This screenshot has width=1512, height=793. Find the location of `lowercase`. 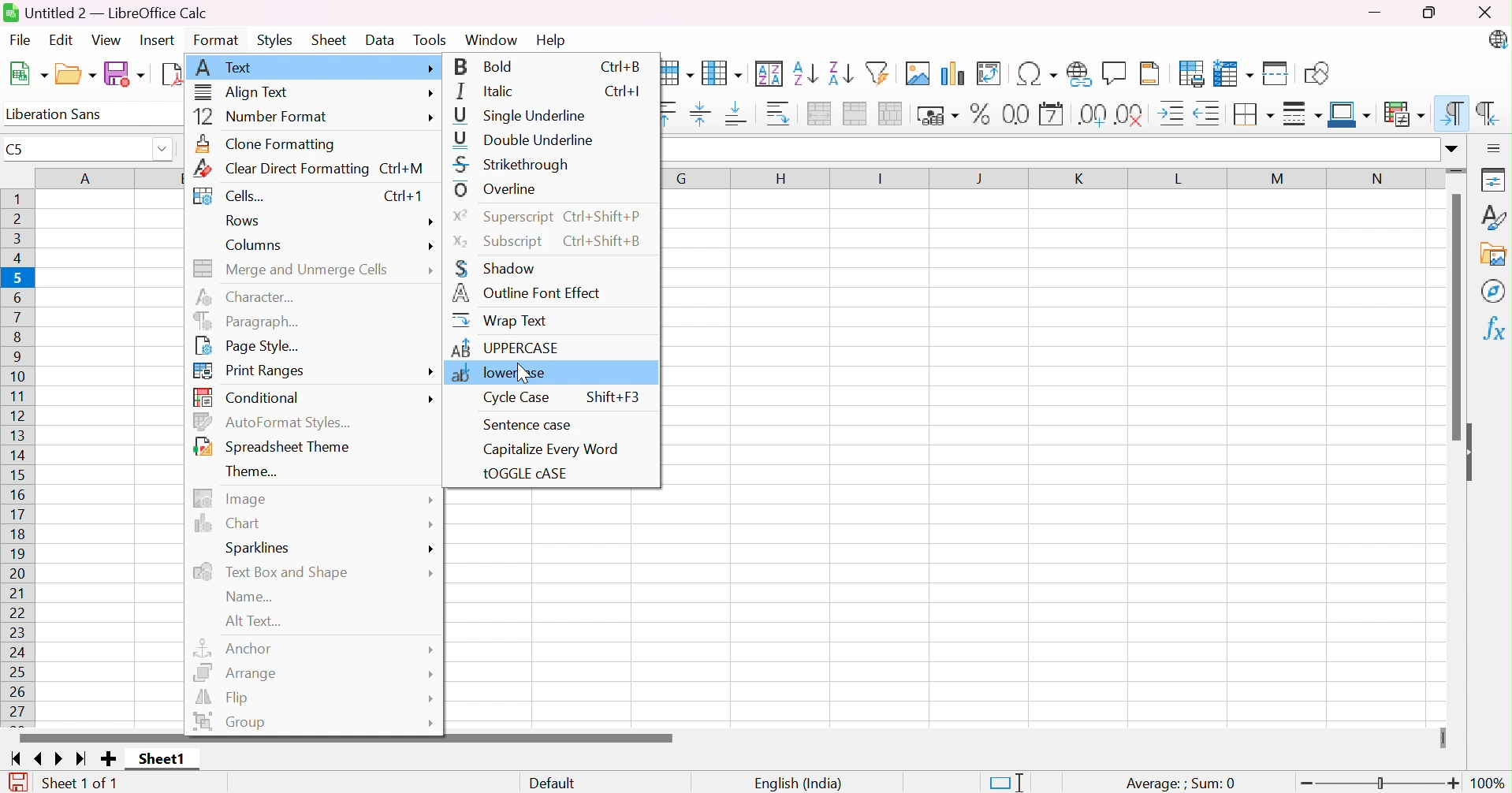

lowercase is located at coordinates (500, 374).